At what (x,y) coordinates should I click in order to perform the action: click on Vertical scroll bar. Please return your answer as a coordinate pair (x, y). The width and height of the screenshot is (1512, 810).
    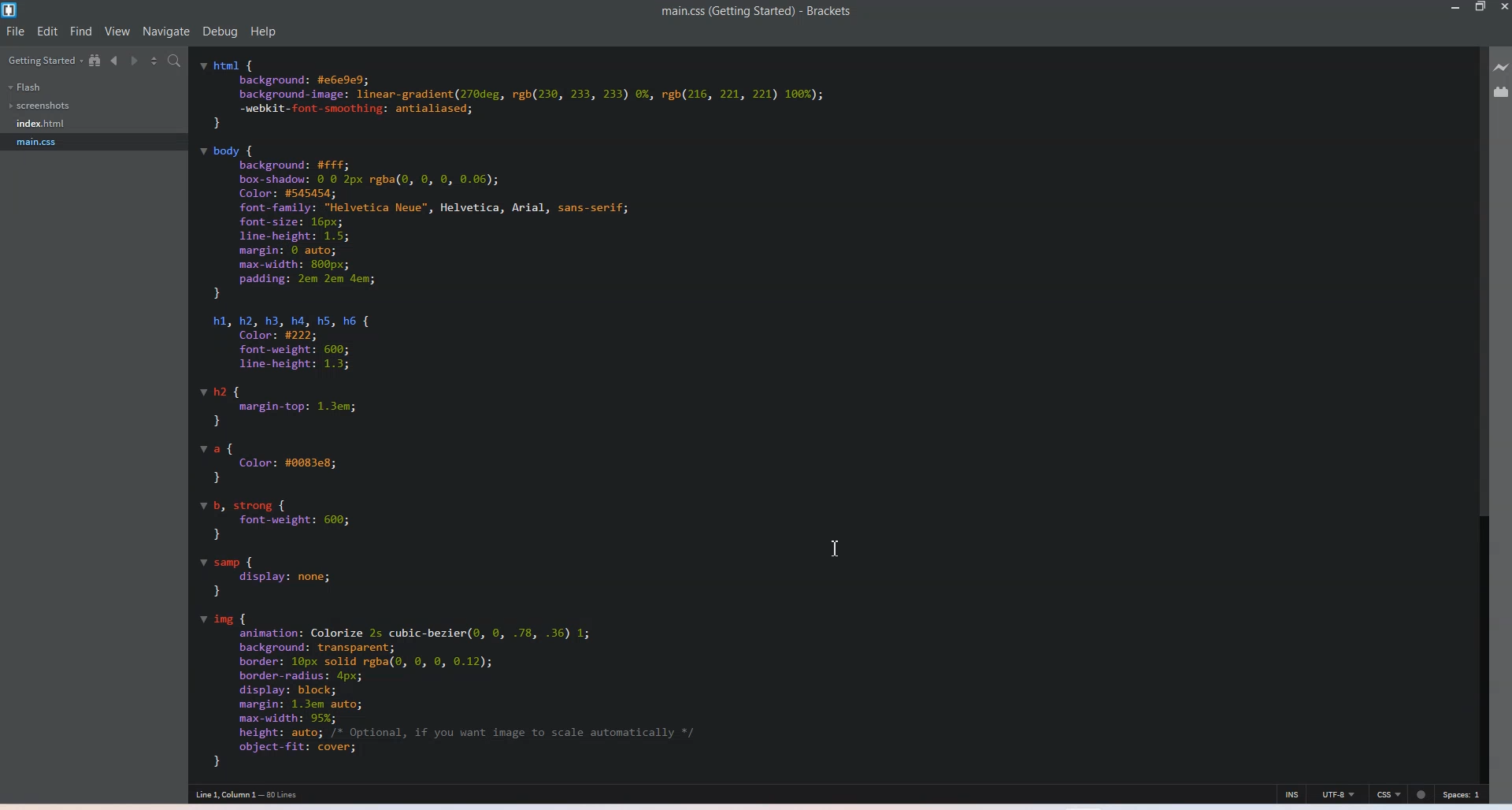
    Looking at the image, I should click on (1477, 404).